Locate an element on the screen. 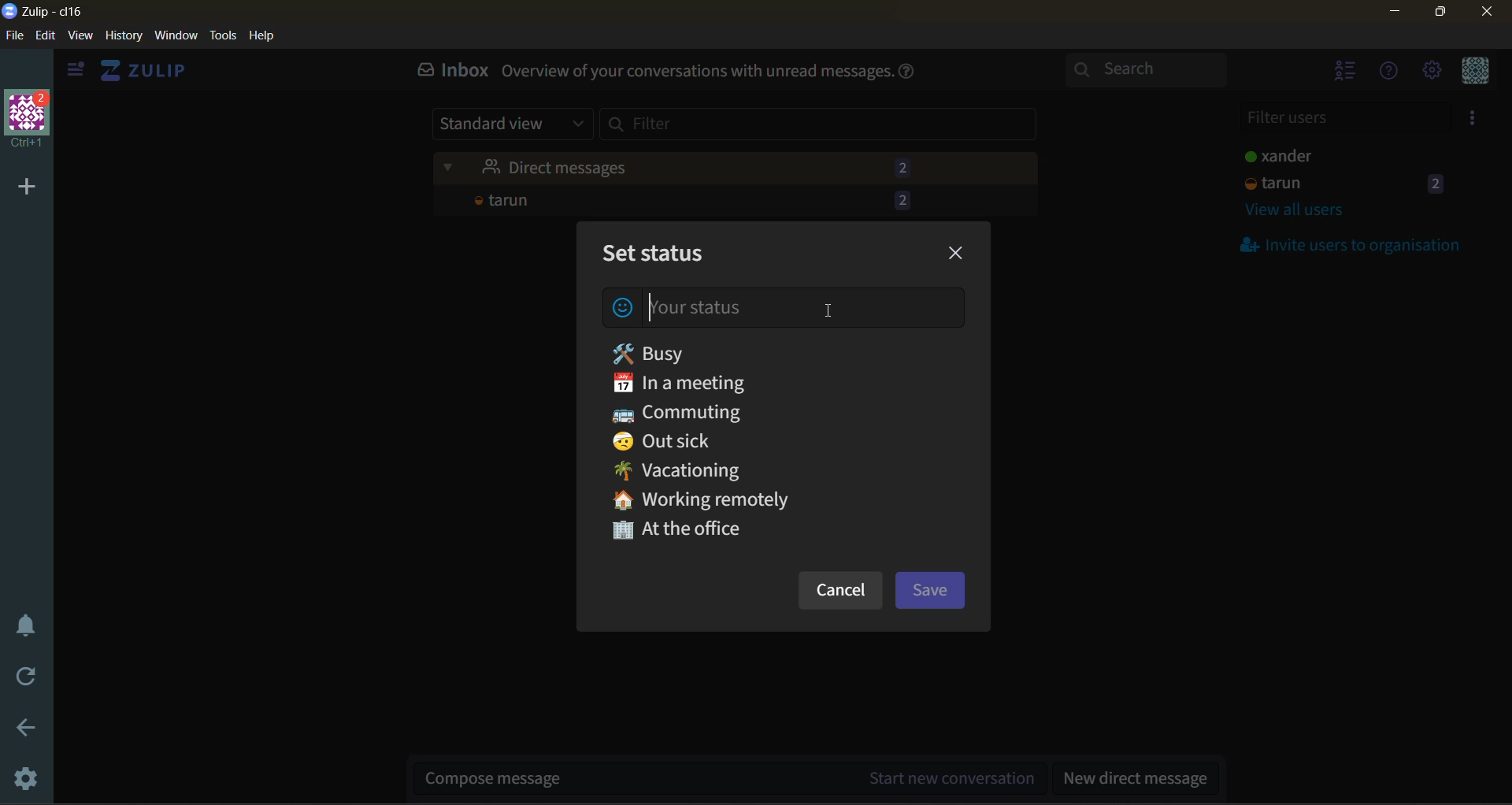 This screenshot has width=1512, height=805. predefined status is located at coordinates (705, 351).